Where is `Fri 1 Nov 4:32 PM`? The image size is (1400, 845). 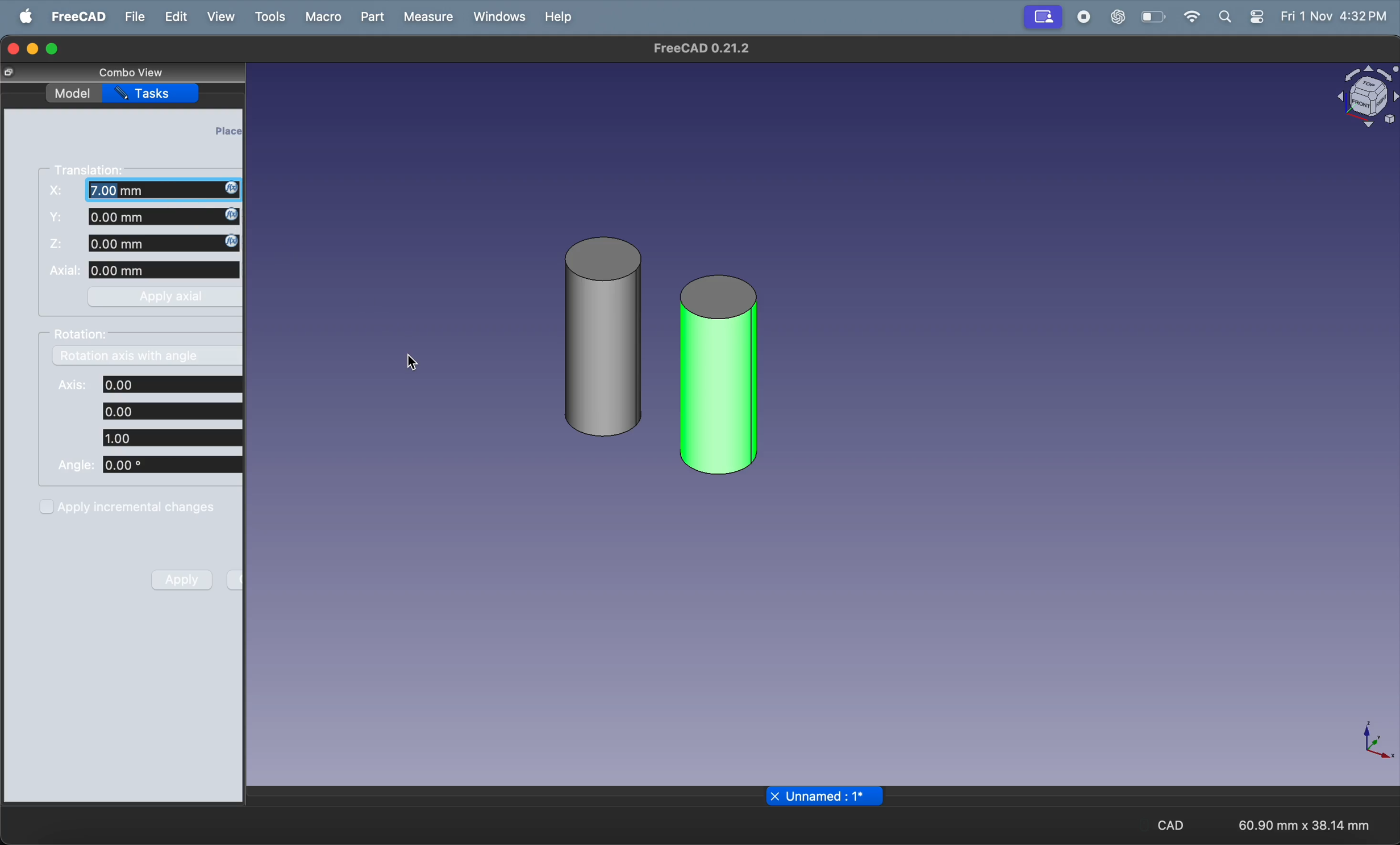 Fri 1 Nov 4:32 PM is located at coordinates (1334, 17).